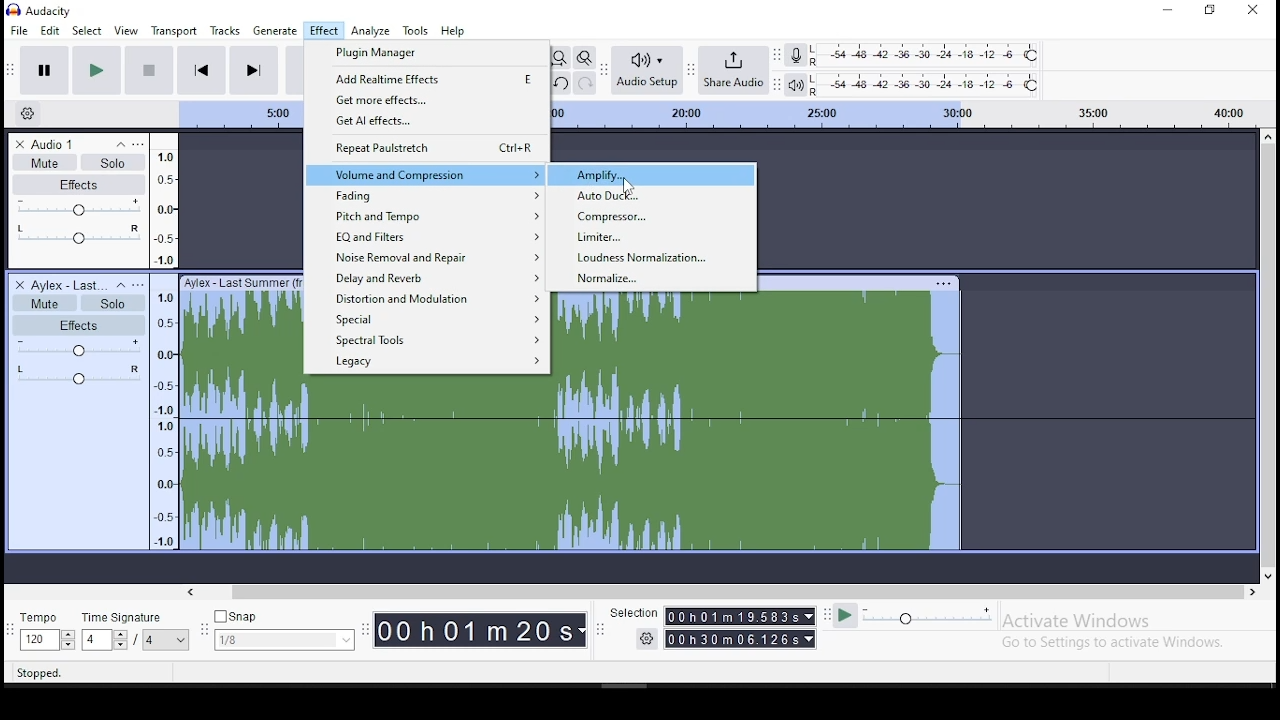  What do you see at coordinates (429, 278) in the screenshot?
I see `delay and reverb` at bounding box center [429, 278].